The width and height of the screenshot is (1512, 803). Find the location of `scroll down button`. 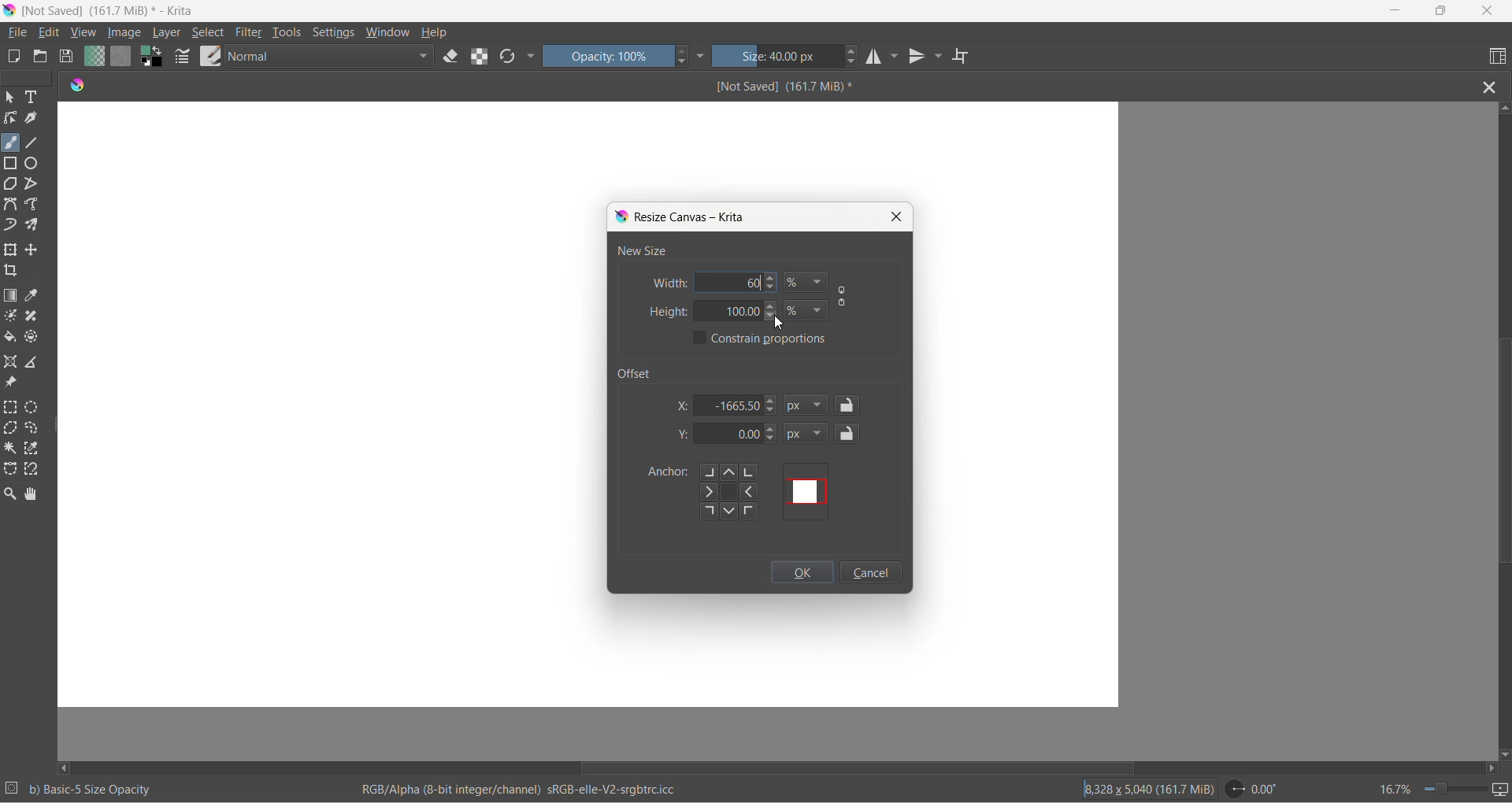

scroll down button is located at coordinates (1503, 751).